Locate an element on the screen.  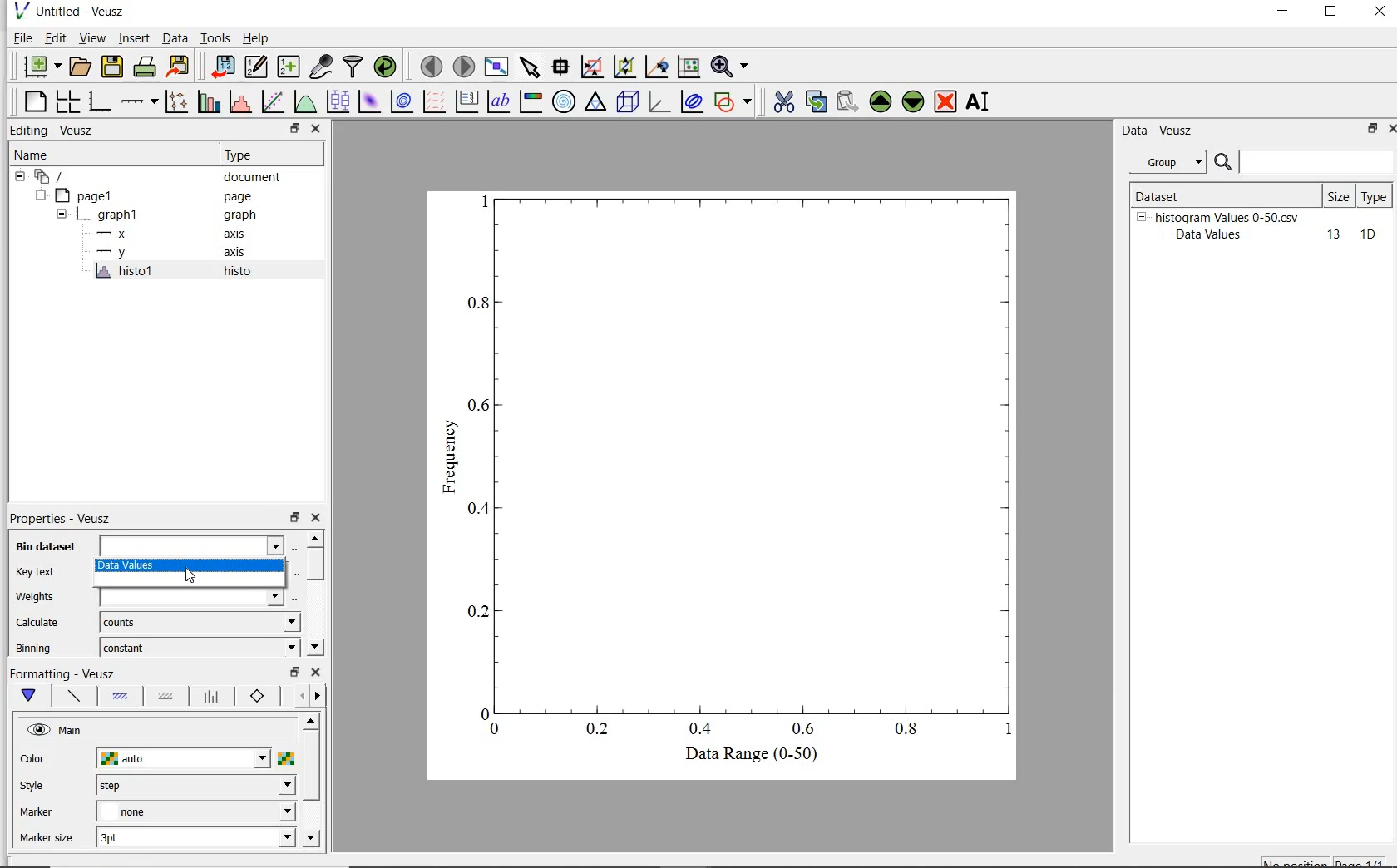
frequency is located at coordinates (449, 461).